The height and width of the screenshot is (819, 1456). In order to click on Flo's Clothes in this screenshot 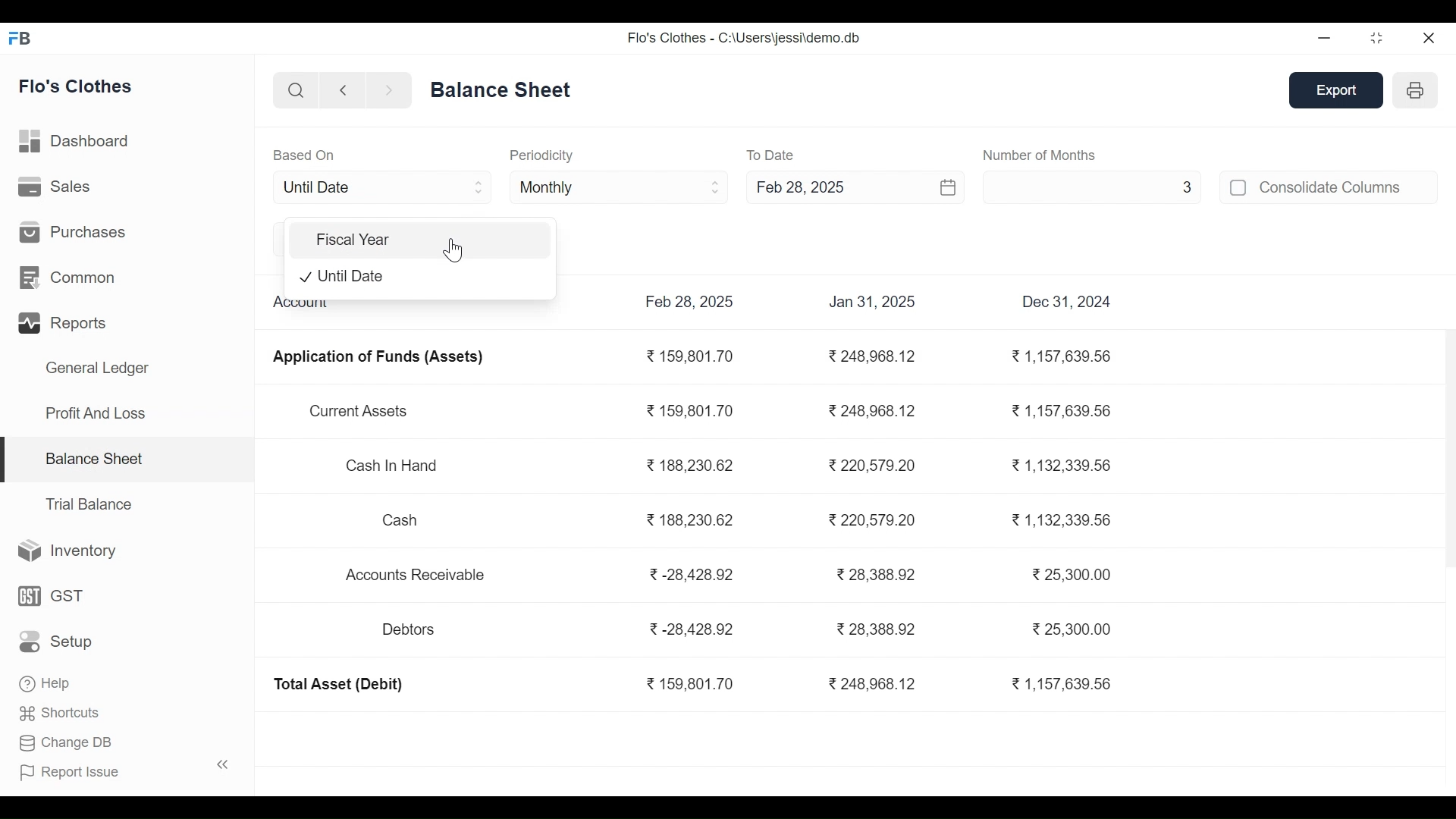, I will do `click(77, 88)`.